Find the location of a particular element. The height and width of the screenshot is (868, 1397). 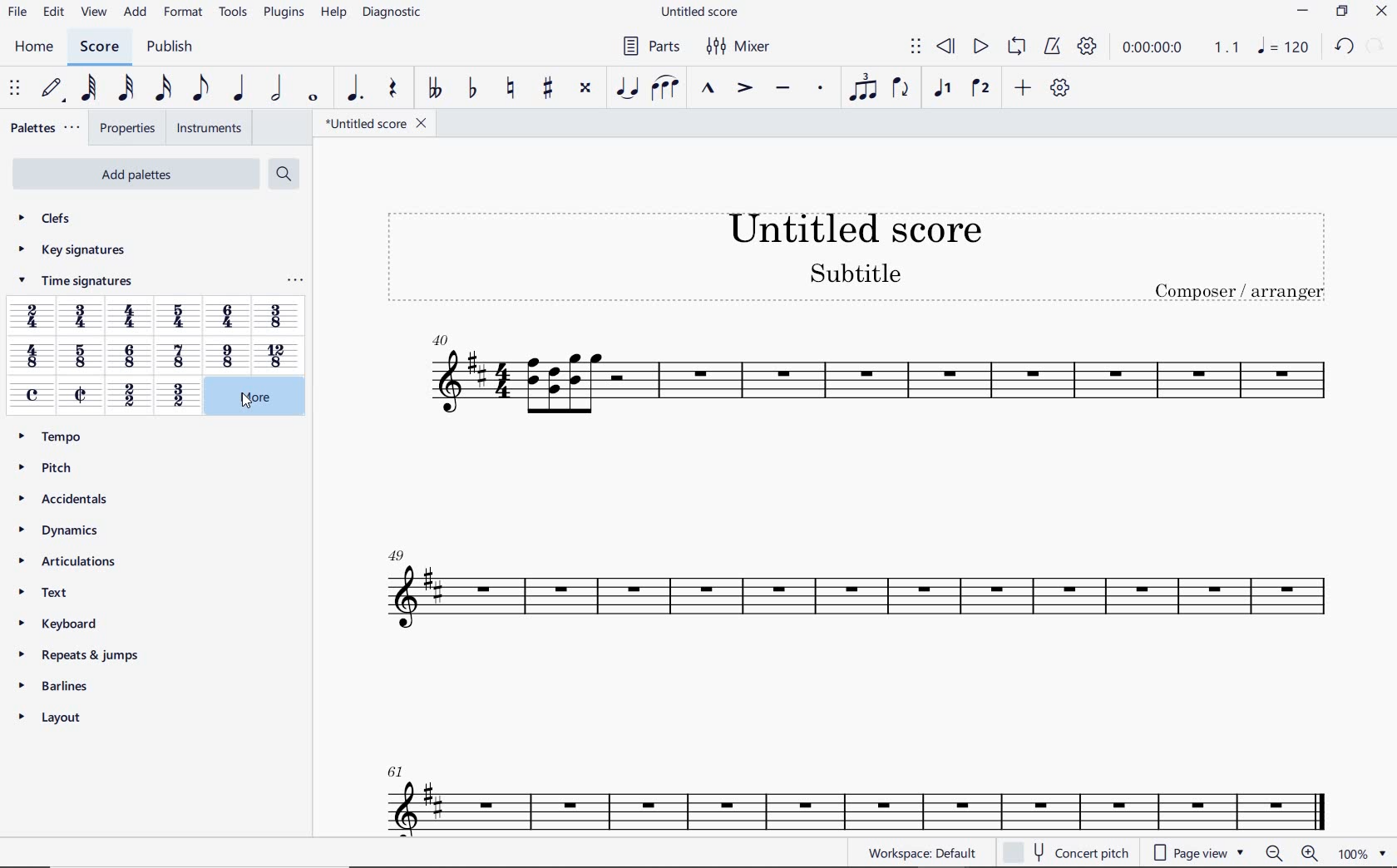

DEFAULT (STEP TIME) is located at coordinates (52, 89).